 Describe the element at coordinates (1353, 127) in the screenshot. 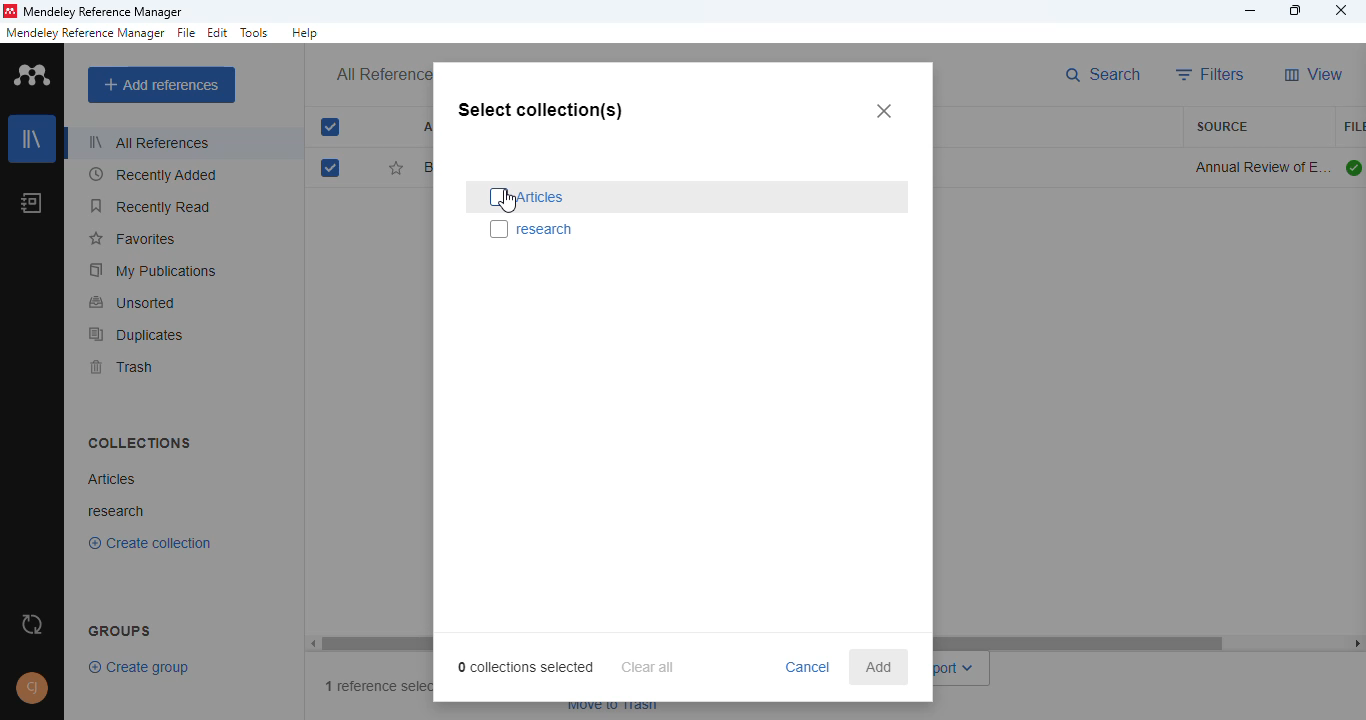

I see `file` at that location.